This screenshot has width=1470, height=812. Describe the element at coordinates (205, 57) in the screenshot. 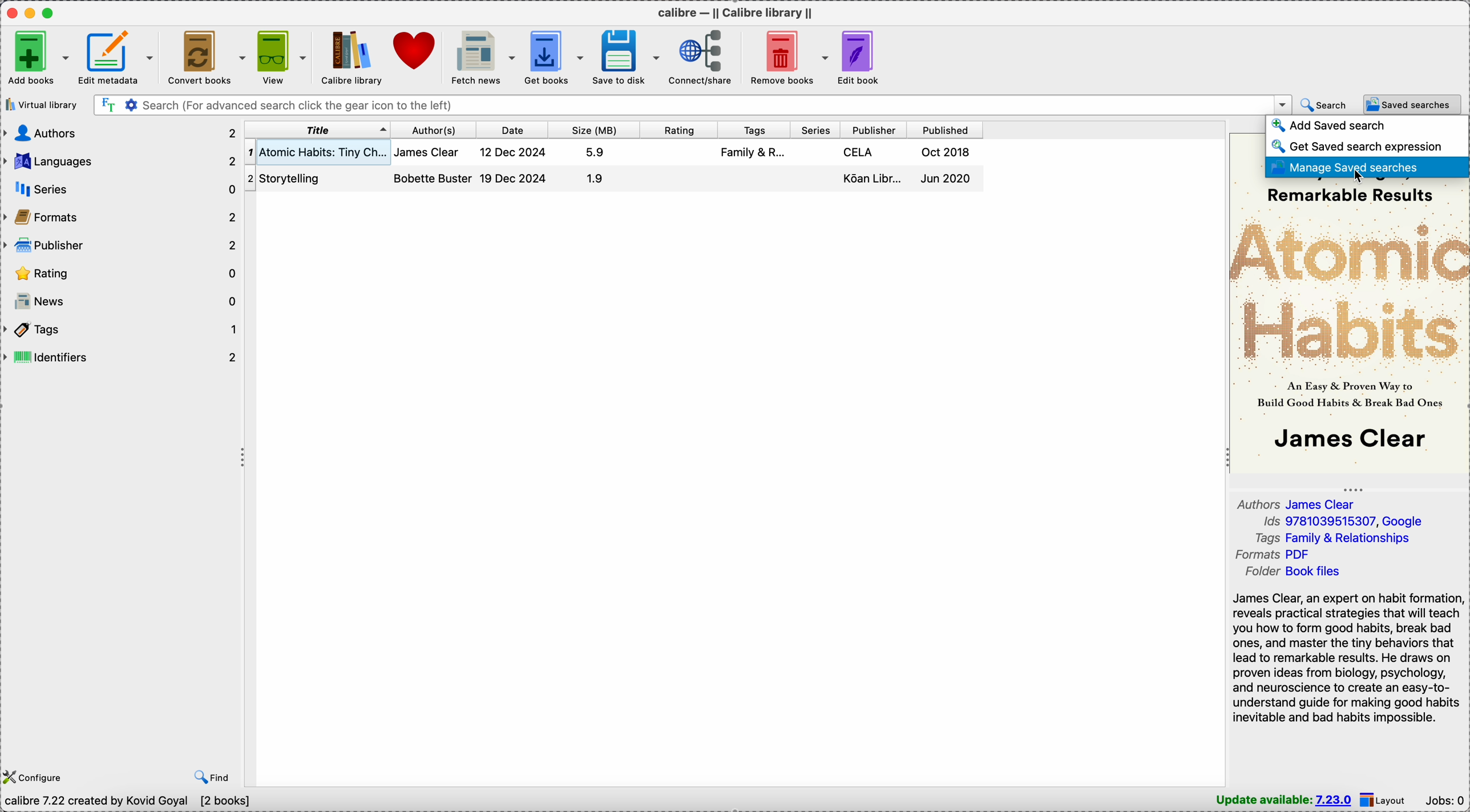

I see `convert books` at that location.